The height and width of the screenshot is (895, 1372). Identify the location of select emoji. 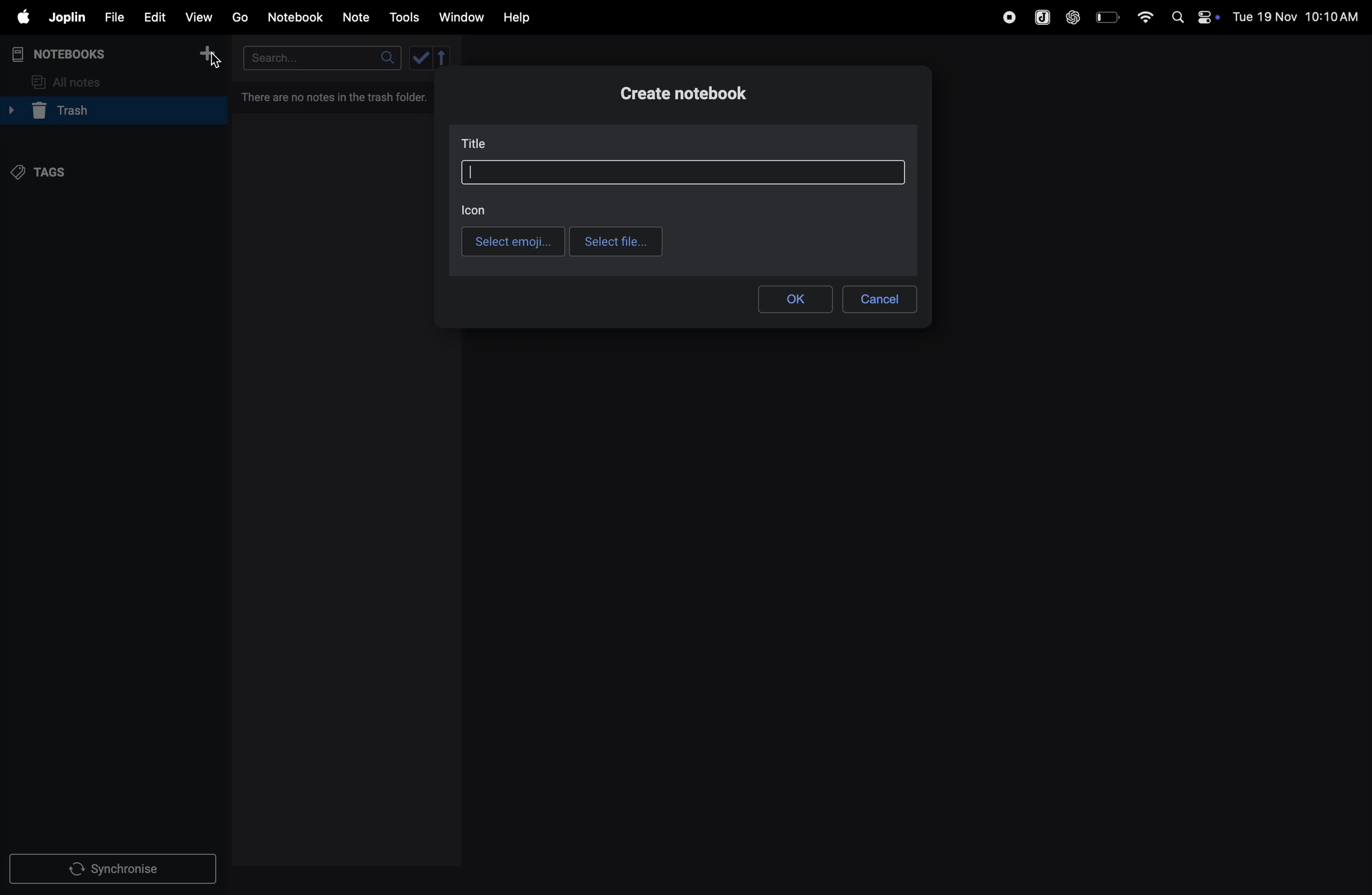
(511, 241).